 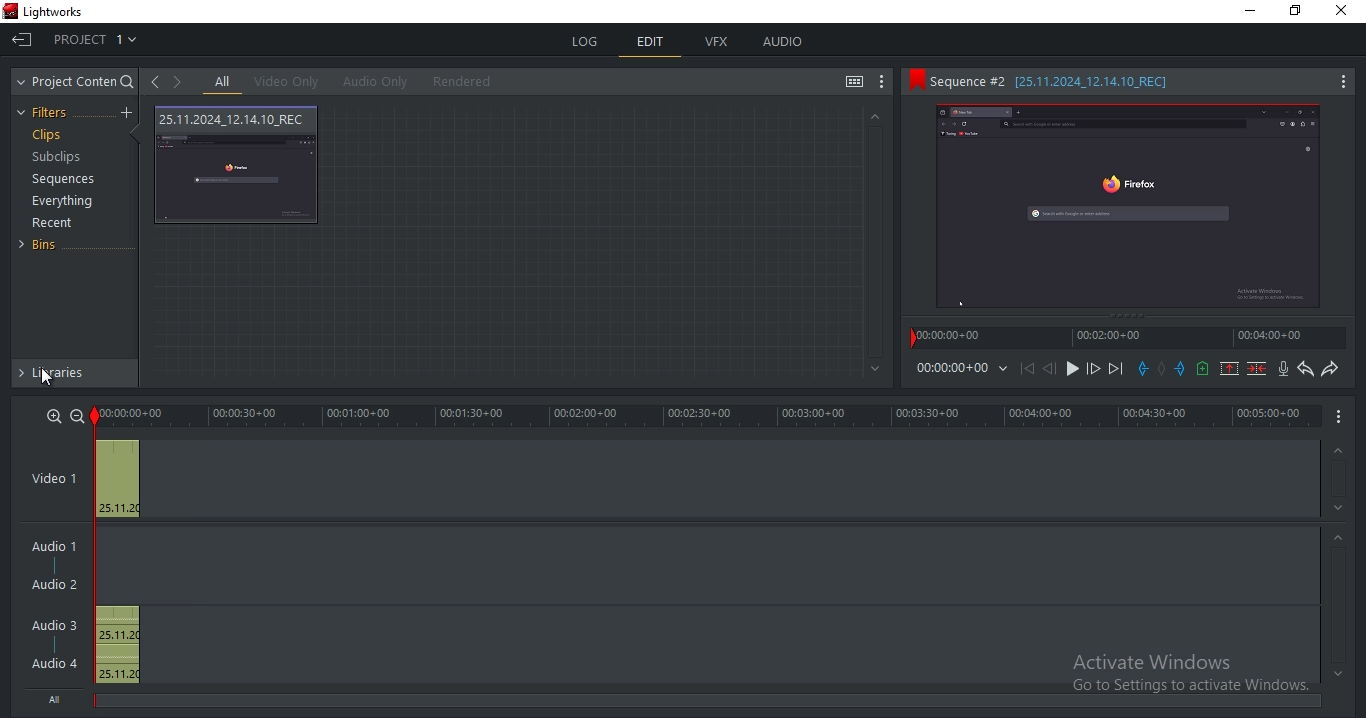 What do you see at coordinates (855, 82) in the screenshot?
I see `` at bounding box center [855, 82].